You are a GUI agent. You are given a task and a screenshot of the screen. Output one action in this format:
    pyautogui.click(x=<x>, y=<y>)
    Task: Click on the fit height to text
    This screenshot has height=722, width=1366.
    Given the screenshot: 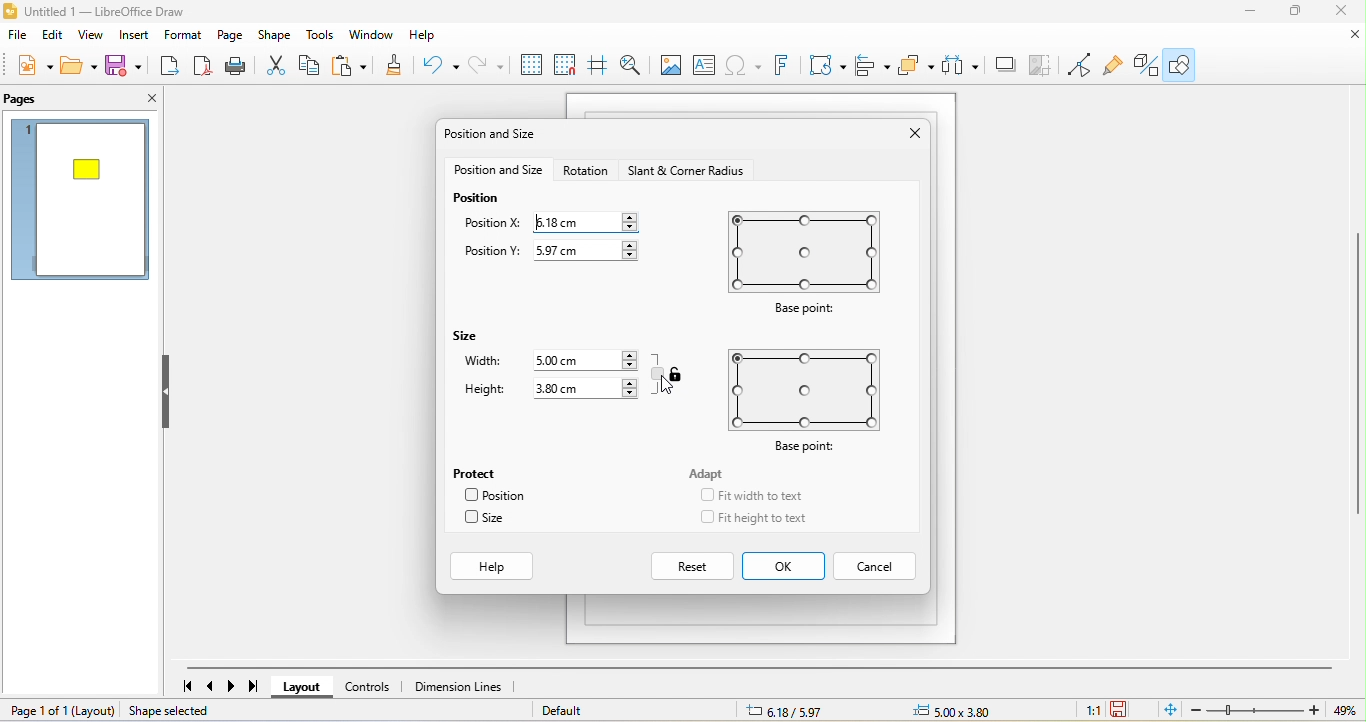 What is the action you would take?
    pyautogui.click(x=753, y=518)
    